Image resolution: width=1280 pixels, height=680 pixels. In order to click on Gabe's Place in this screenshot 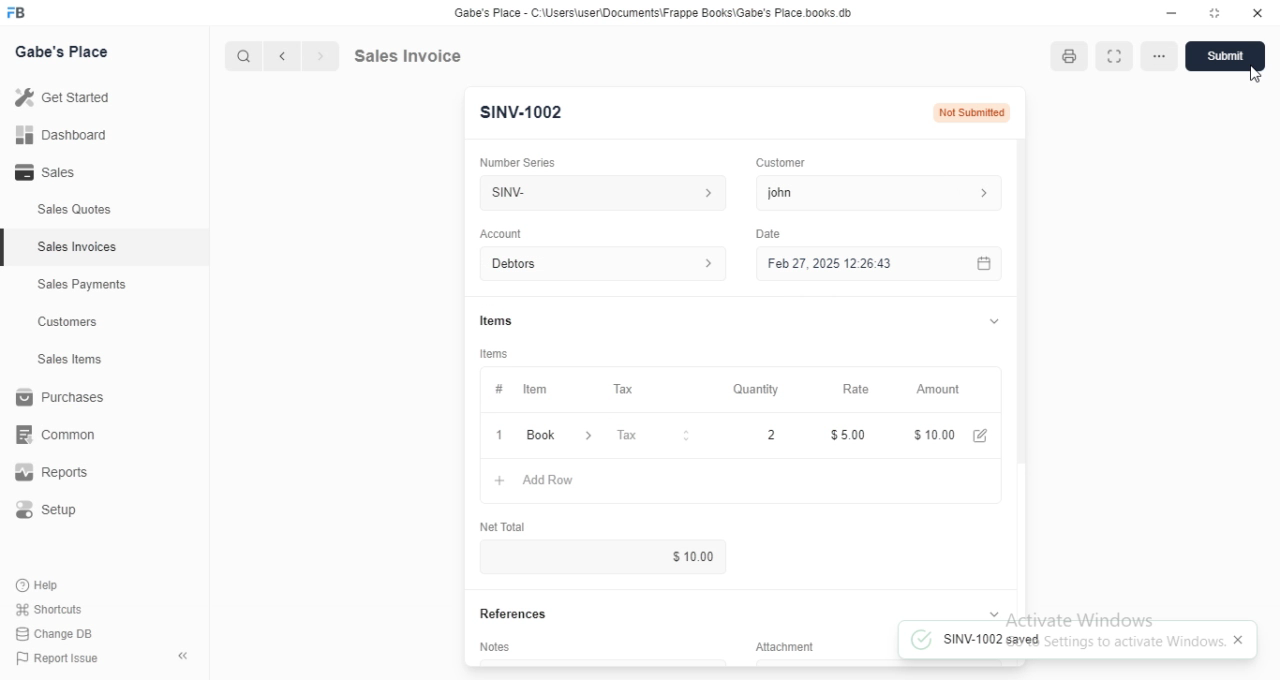, I will do `click(65, 52)`.